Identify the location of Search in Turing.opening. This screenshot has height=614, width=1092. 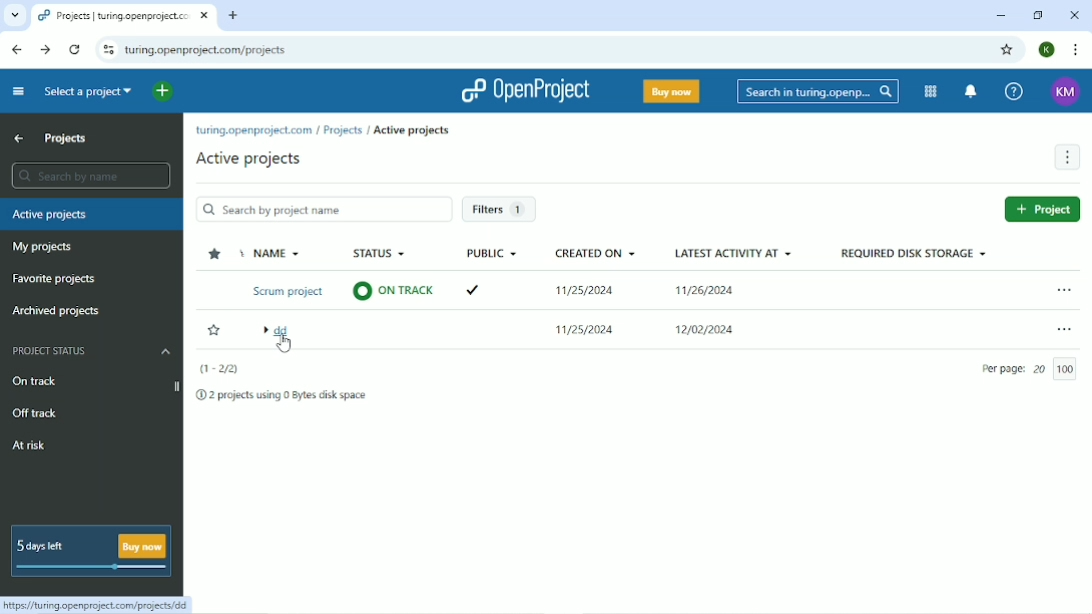
(818, 92).